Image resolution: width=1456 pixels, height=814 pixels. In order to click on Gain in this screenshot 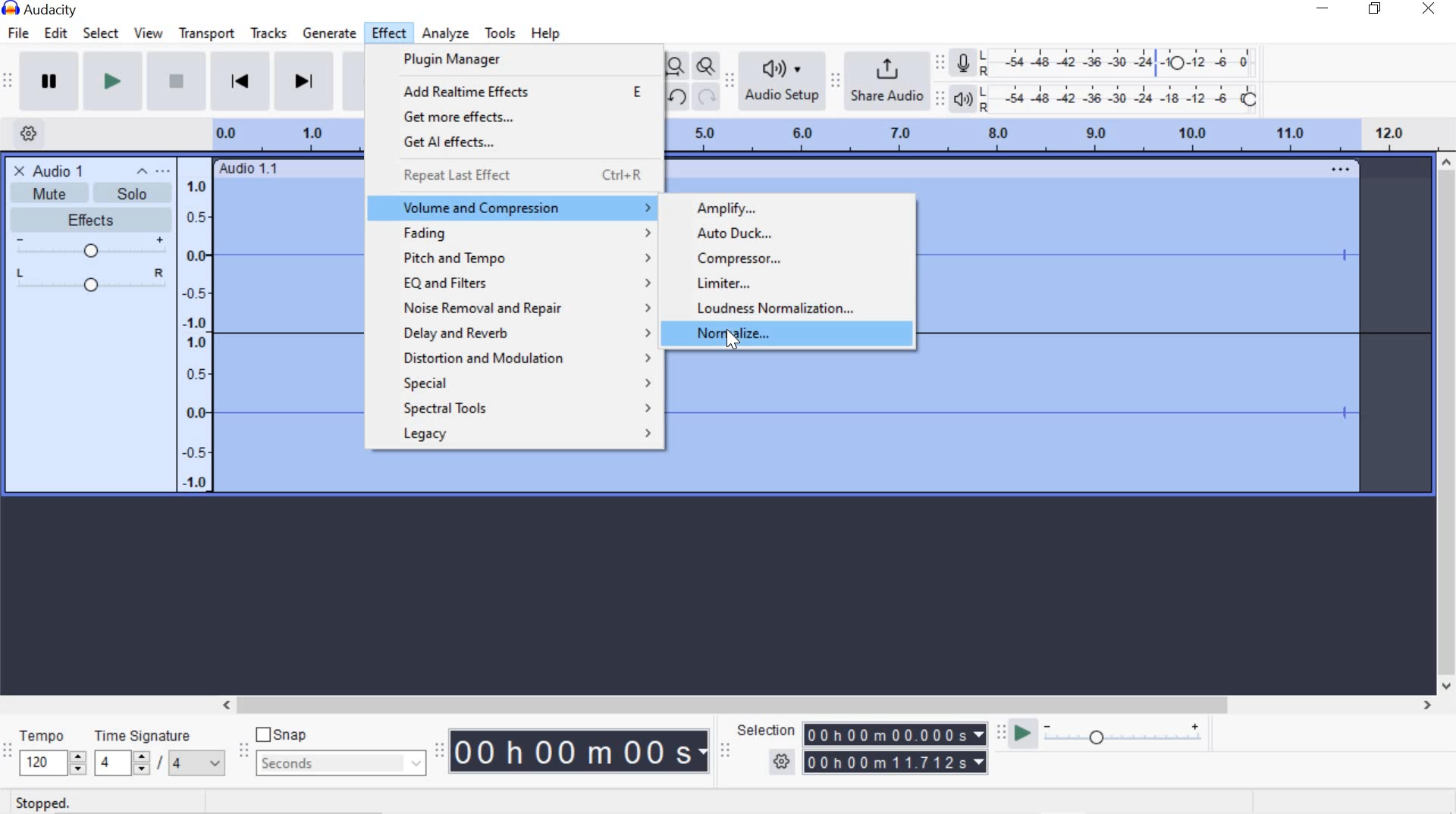, I will do `click(89, 249)`.